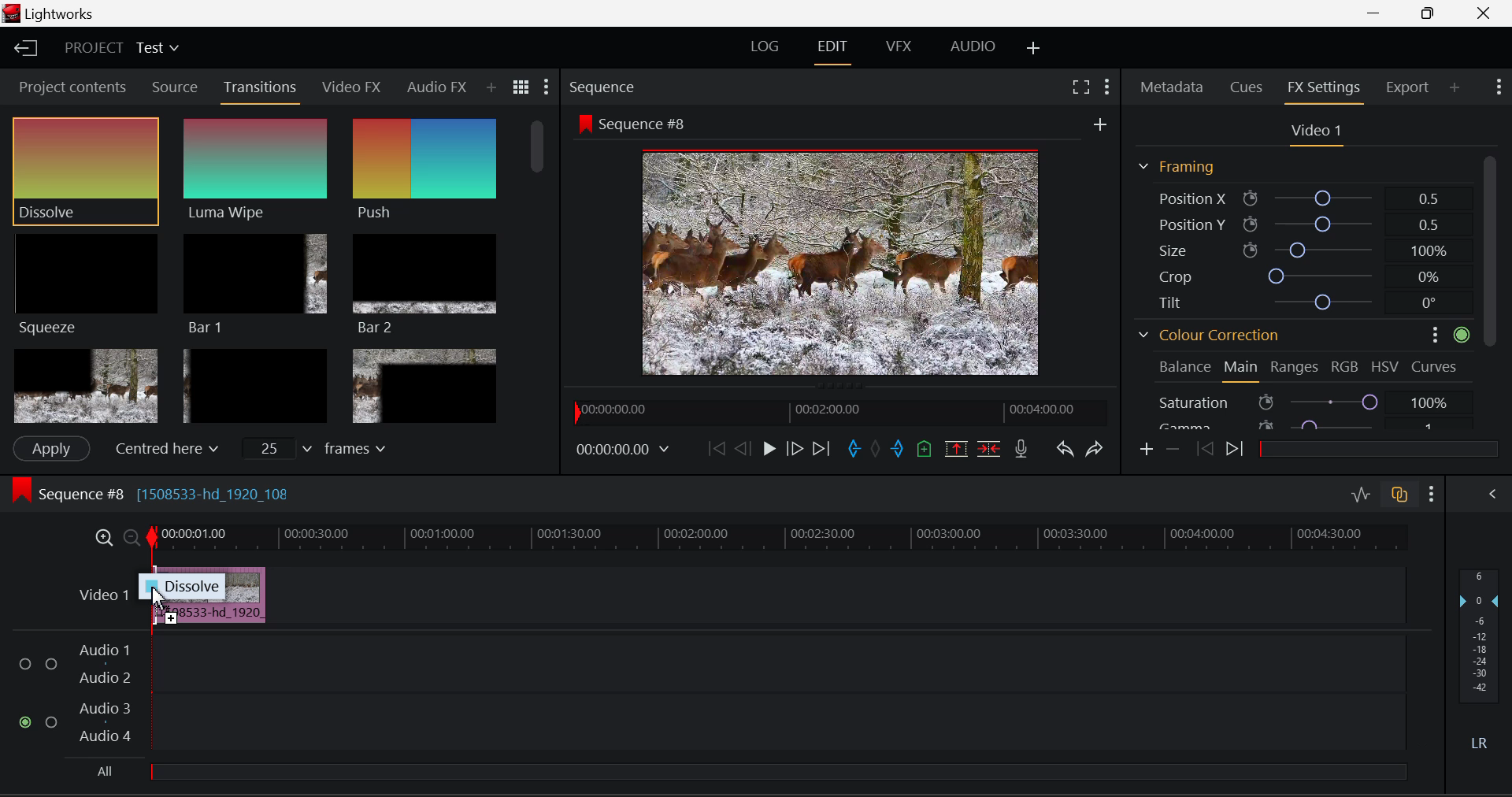  What do you see at coordinates (103, 539) in the screenshot?
I see `Timeline Zoom In` at bounding box center [103, 539].